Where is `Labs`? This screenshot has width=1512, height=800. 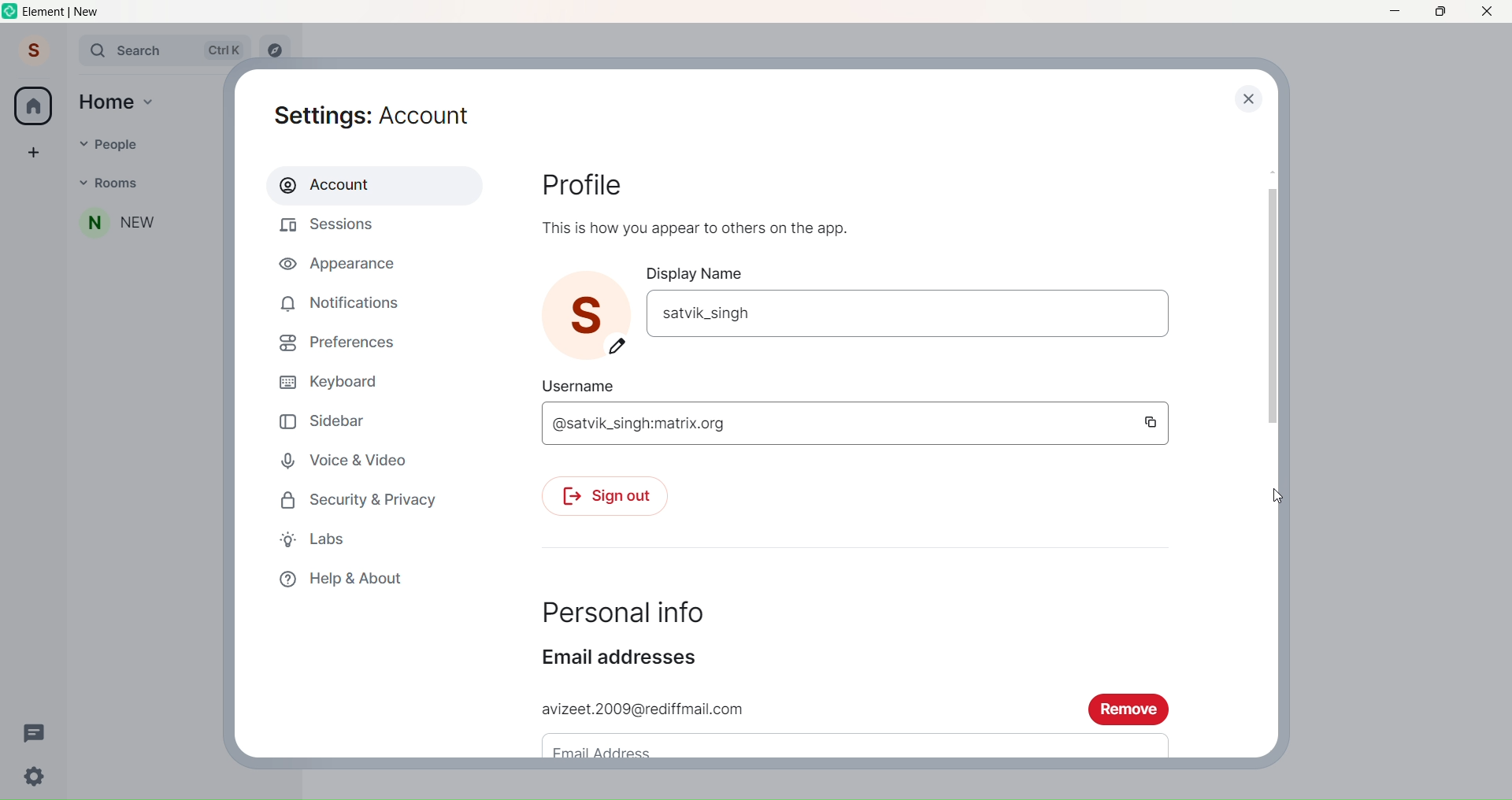 Labs is located at coordinates (326, 539).